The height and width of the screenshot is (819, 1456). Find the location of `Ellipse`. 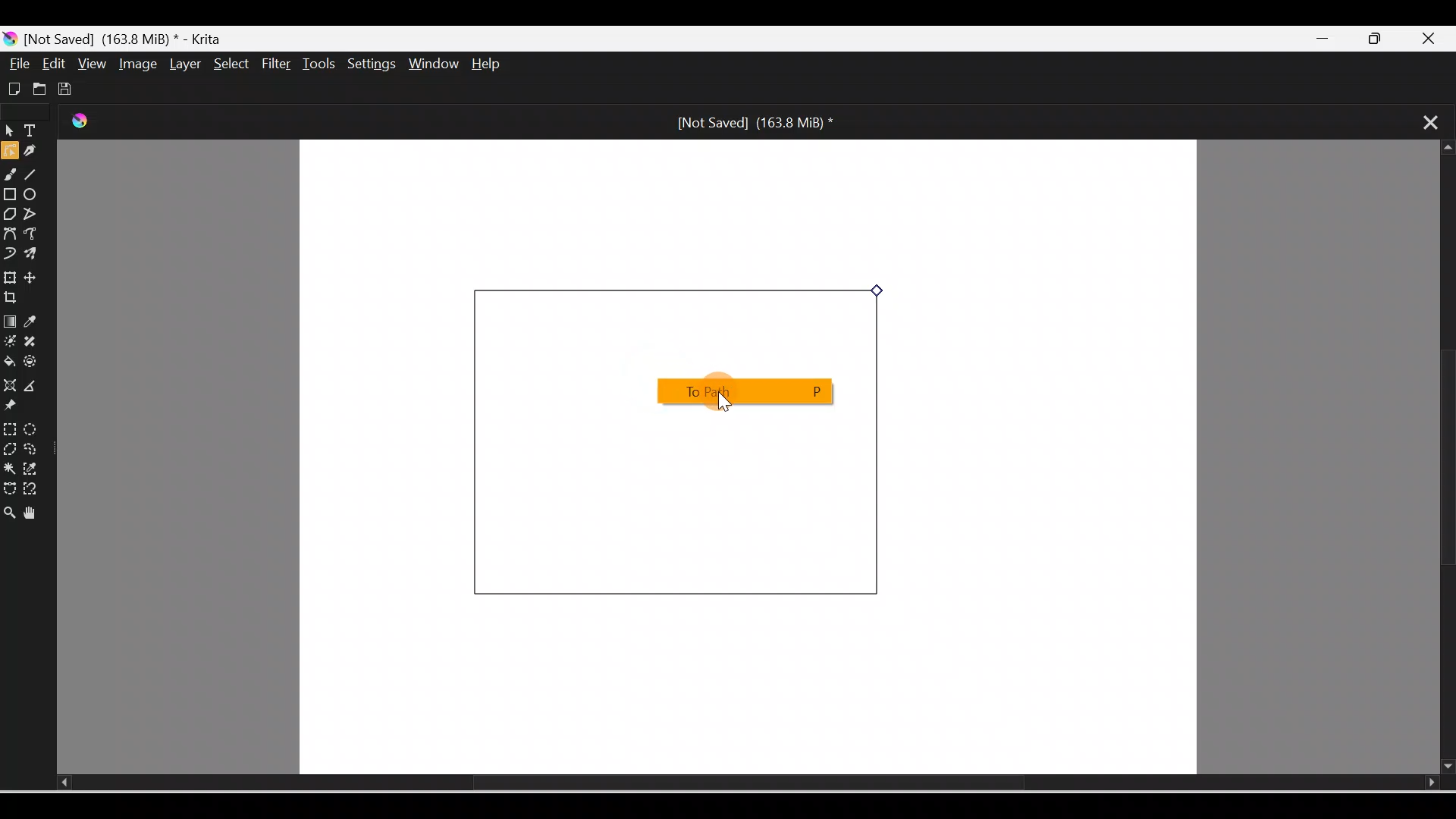

Ellipse is located at coordinates (35, 196).